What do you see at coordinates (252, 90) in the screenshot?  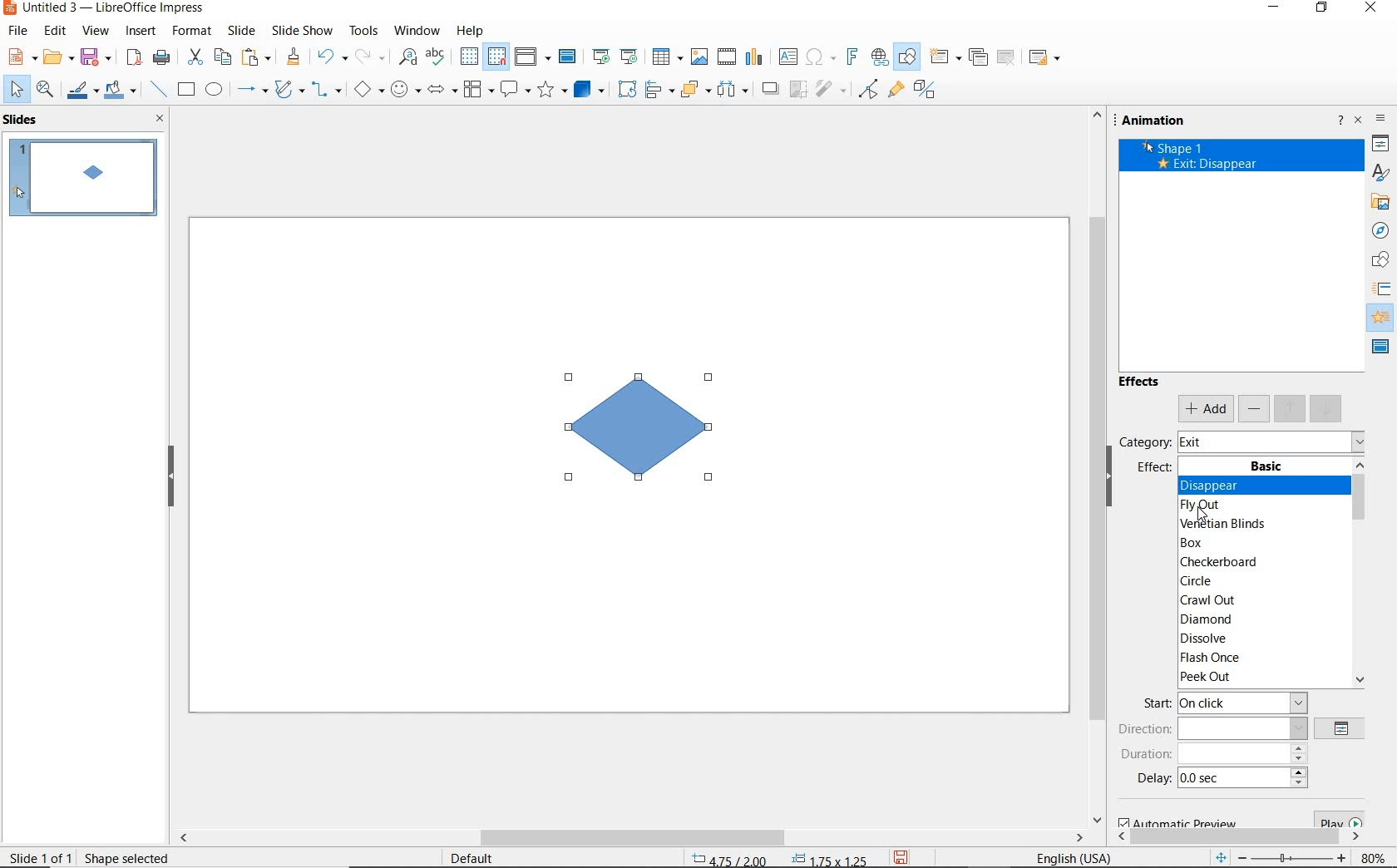 I see `lines and arrows` at bounding box center [252, 90].